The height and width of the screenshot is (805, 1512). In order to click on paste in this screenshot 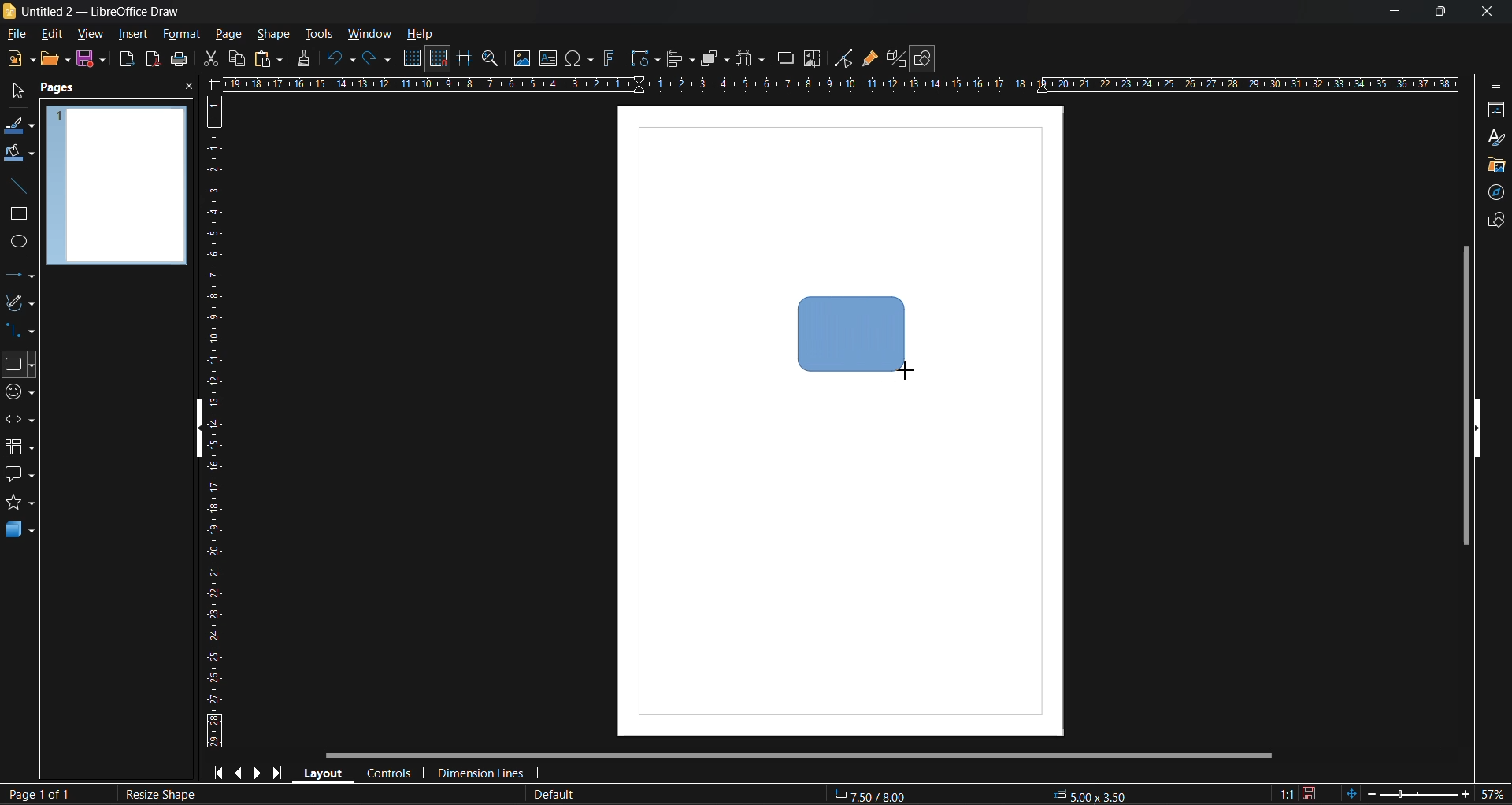, I will do `click(269, 61)`.